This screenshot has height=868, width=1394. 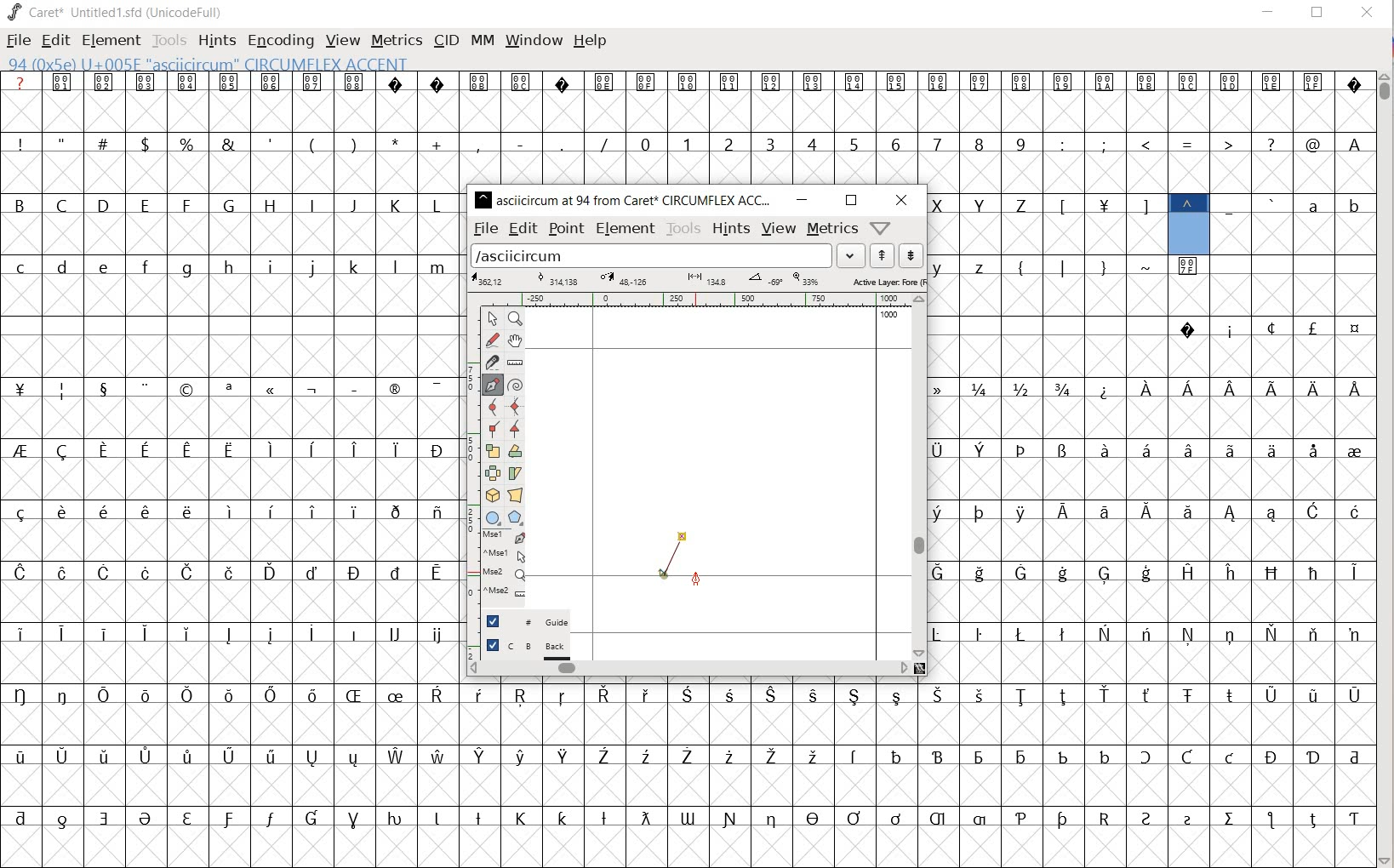 What do you see at coordinates (687, 667) in the screenshot?
I see `scrollbar` at bounding box center [687, 667].